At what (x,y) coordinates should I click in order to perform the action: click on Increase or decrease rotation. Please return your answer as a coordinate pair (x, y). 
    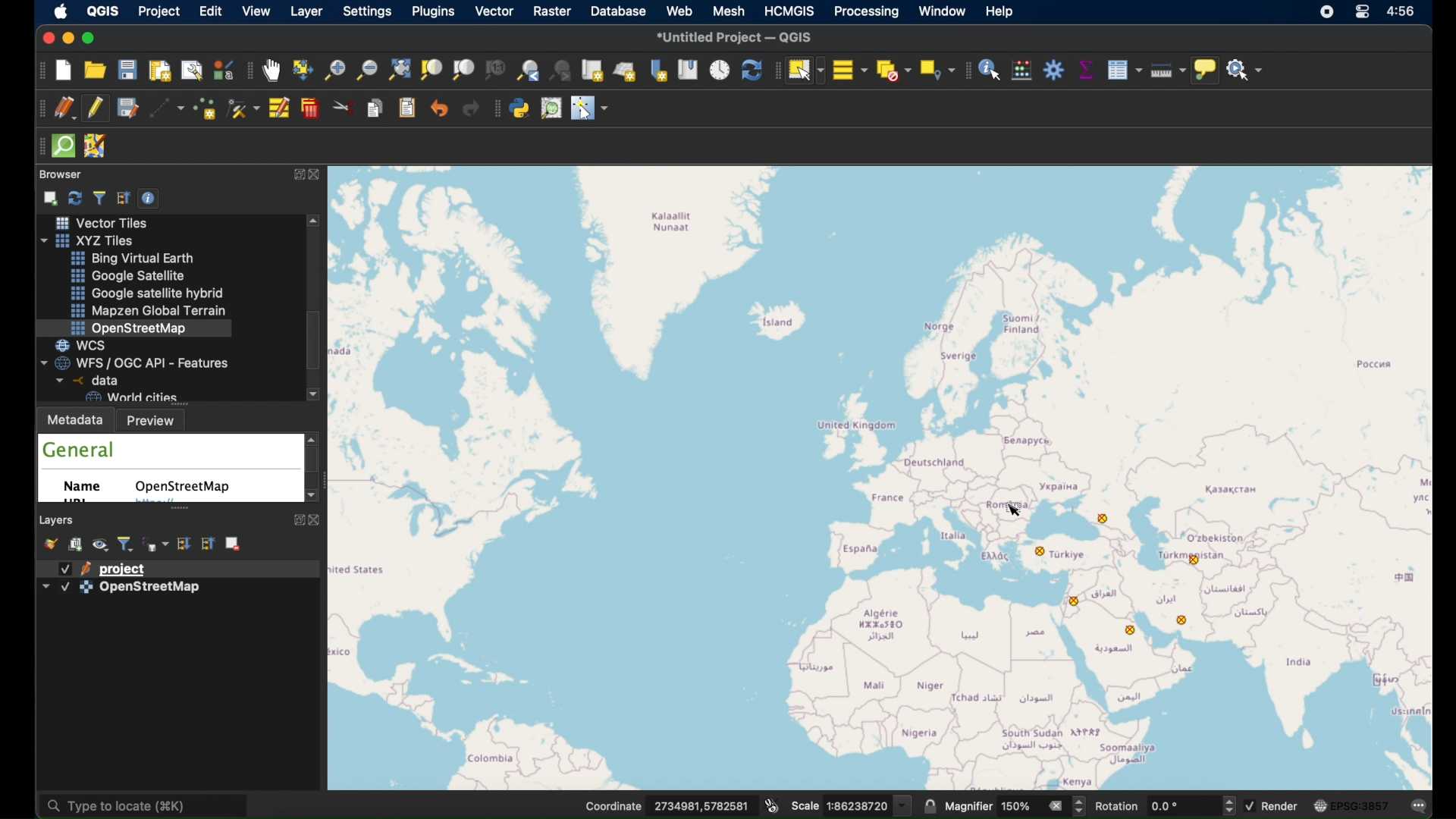
    Looking at the image, I should click on (1228, 805).